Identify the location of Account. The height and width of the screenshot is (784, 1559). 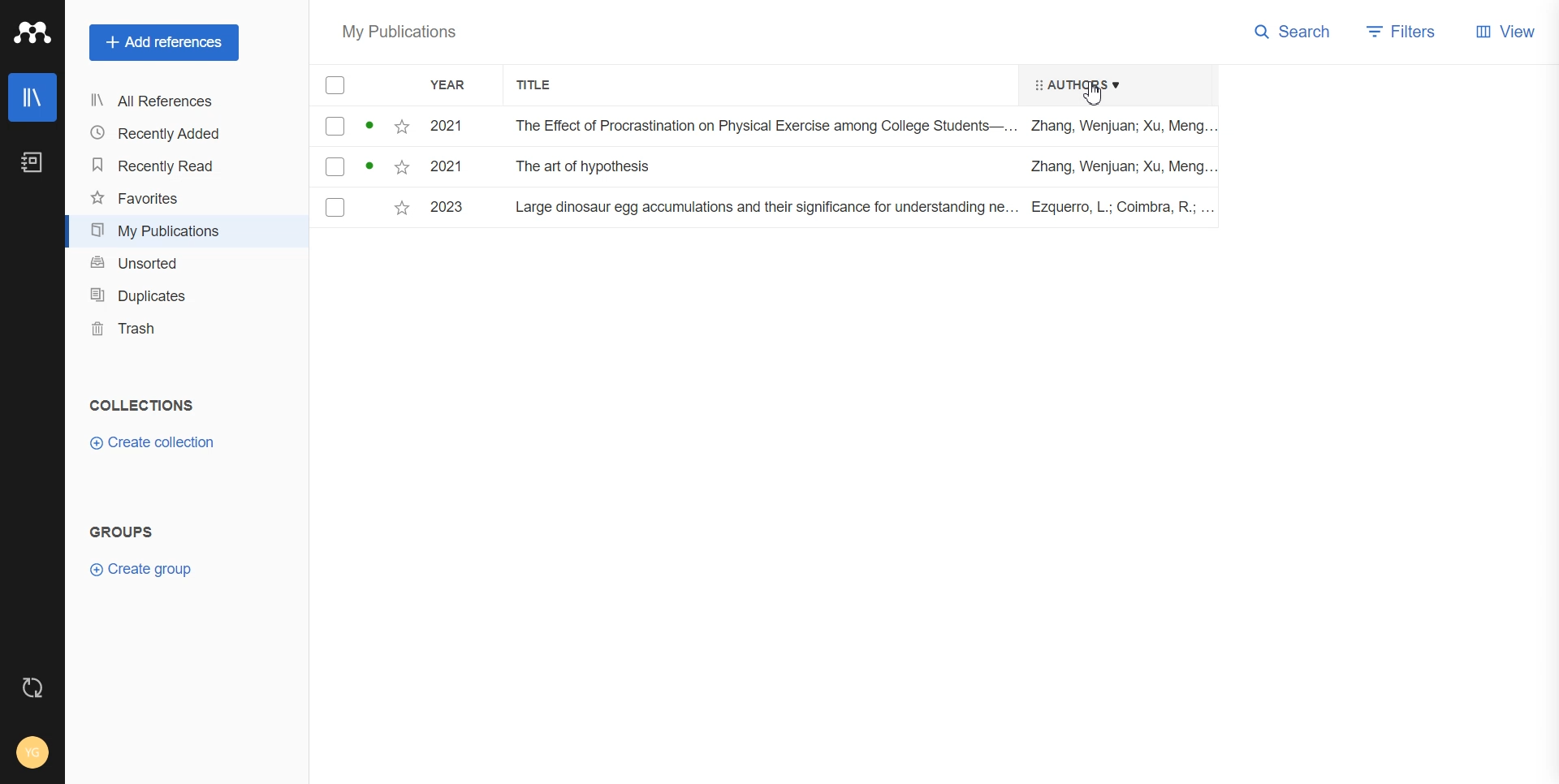
(33, 752).